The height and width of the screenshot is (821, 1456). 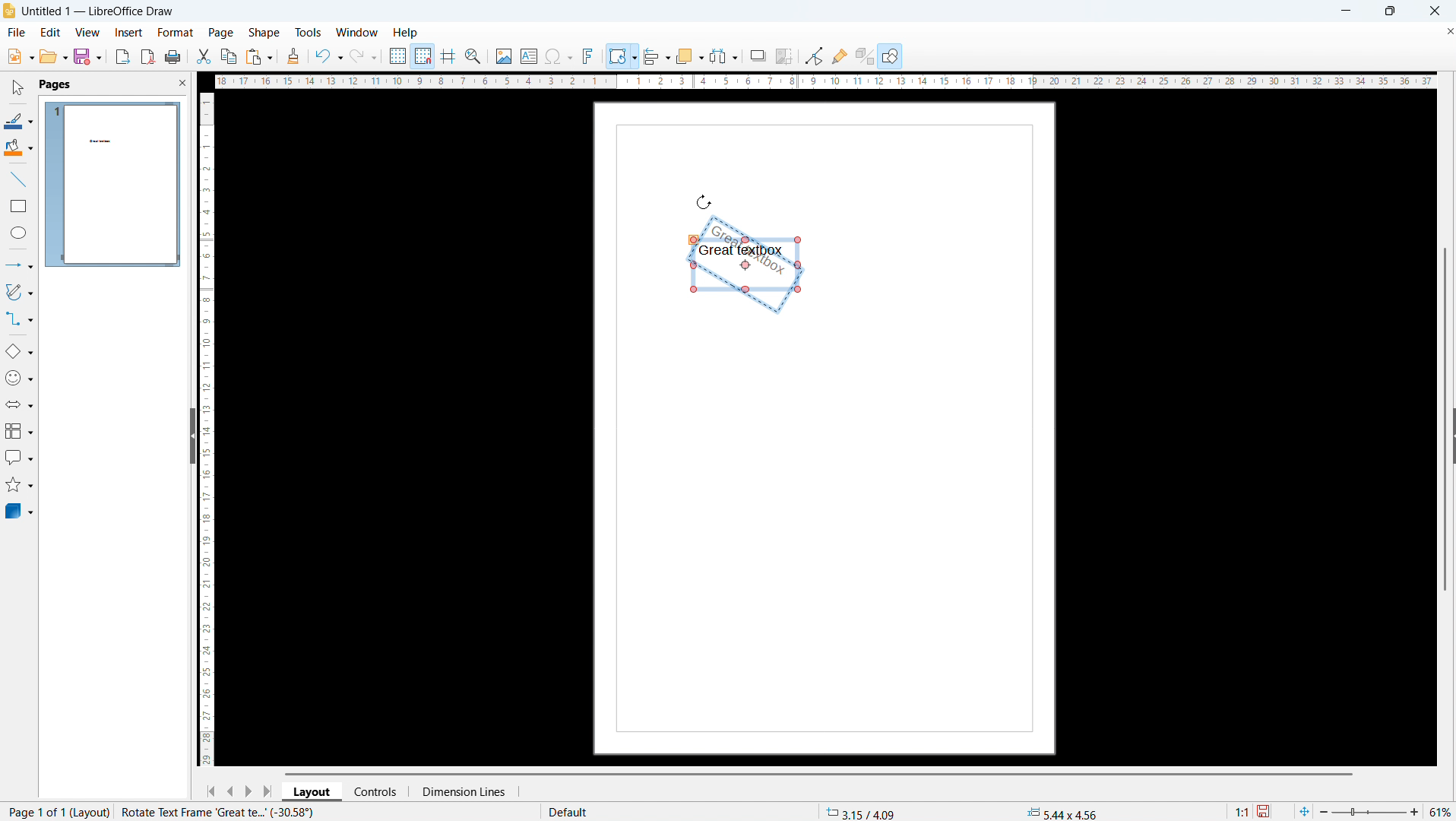 What do you see at coordinates (784, 55) in the screenshot?
I see `crop image` at bounding box center [784, 55].